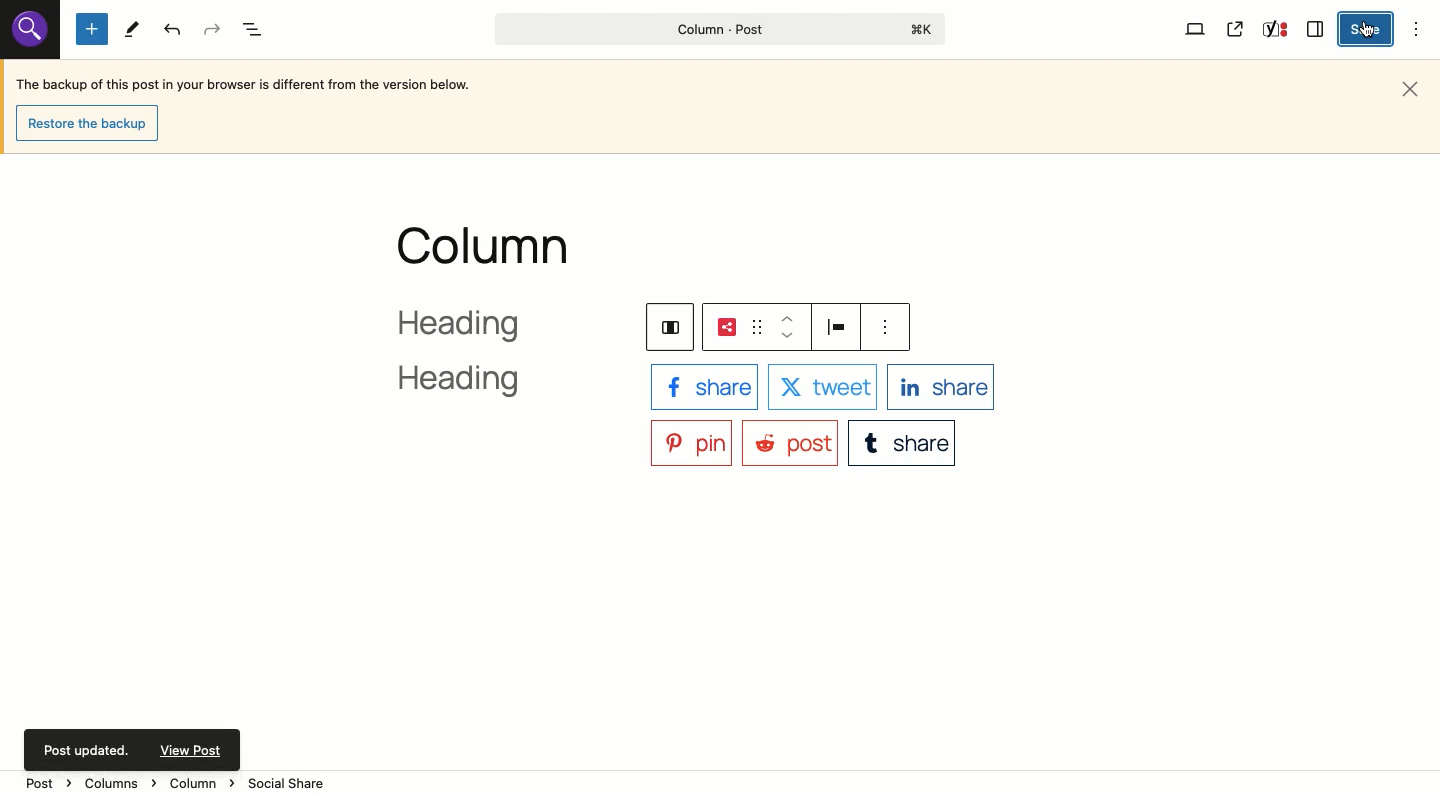  I want to click on Save, so click(1368, 30).